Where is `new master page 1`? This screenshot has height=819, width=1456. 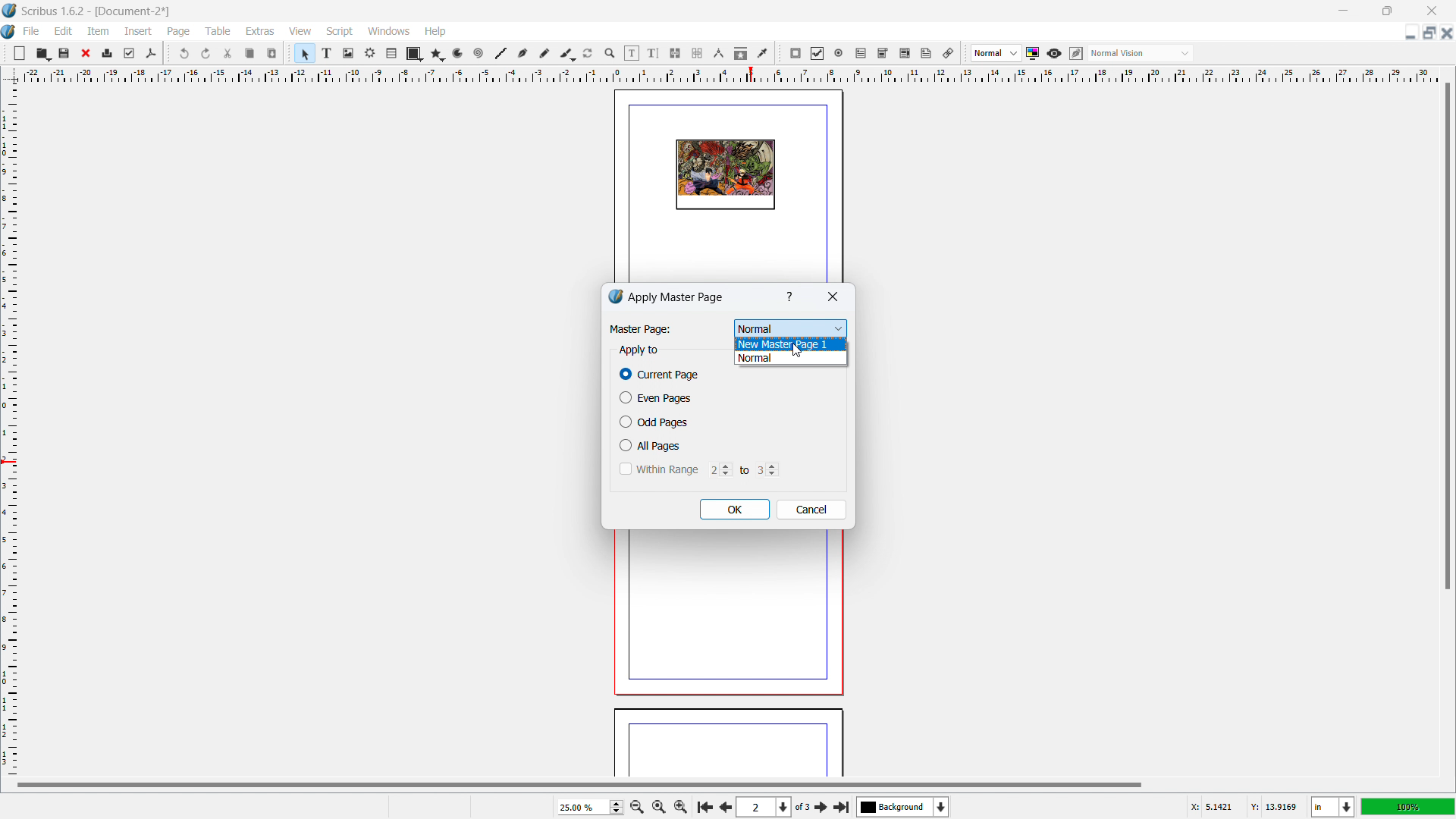 new master page 1 is located at coordinates (791, 344).